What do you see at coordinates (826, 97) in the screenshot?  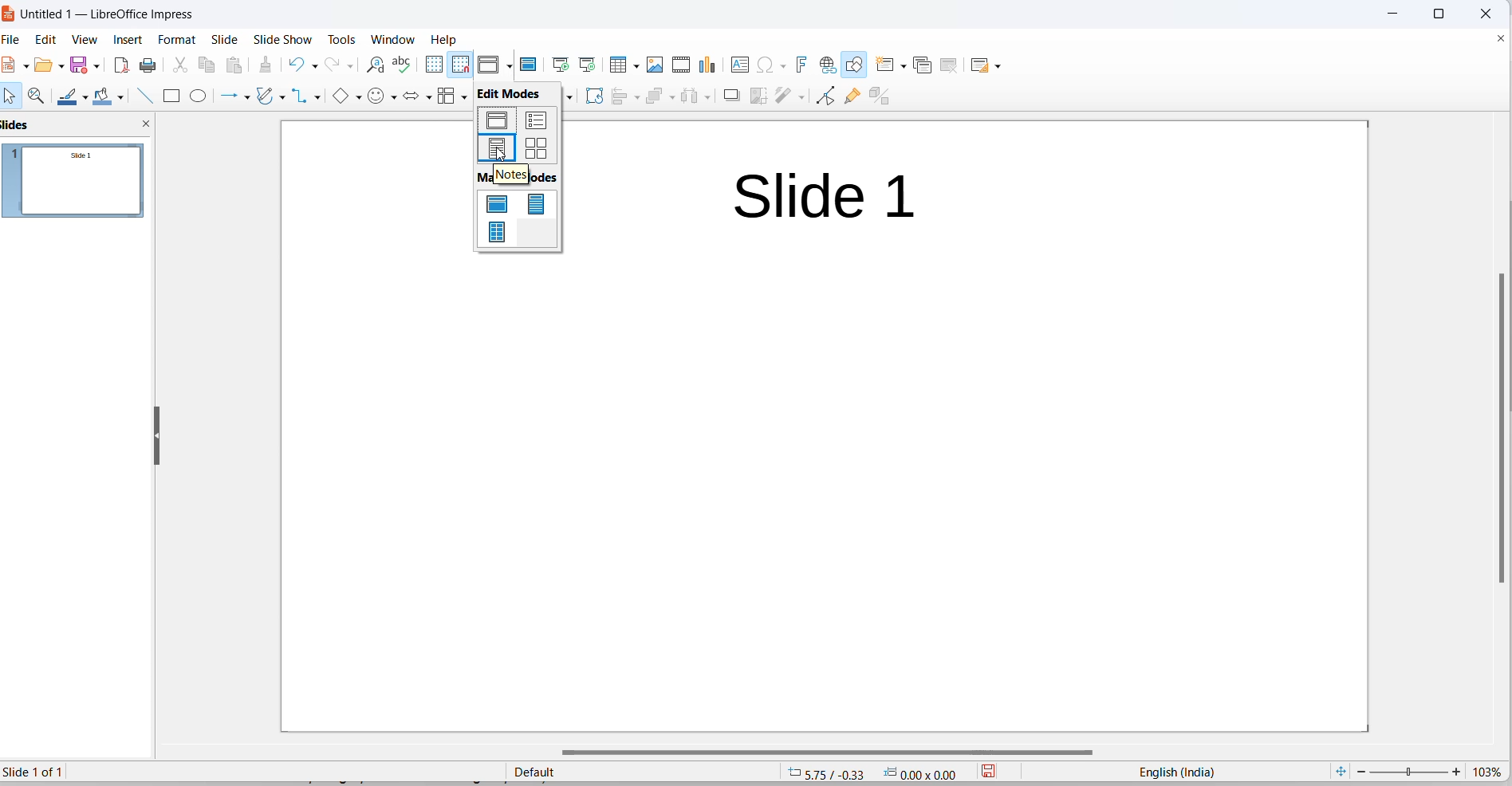 I see `toggle endpoint edit mode` at bounding box center [826, 97].